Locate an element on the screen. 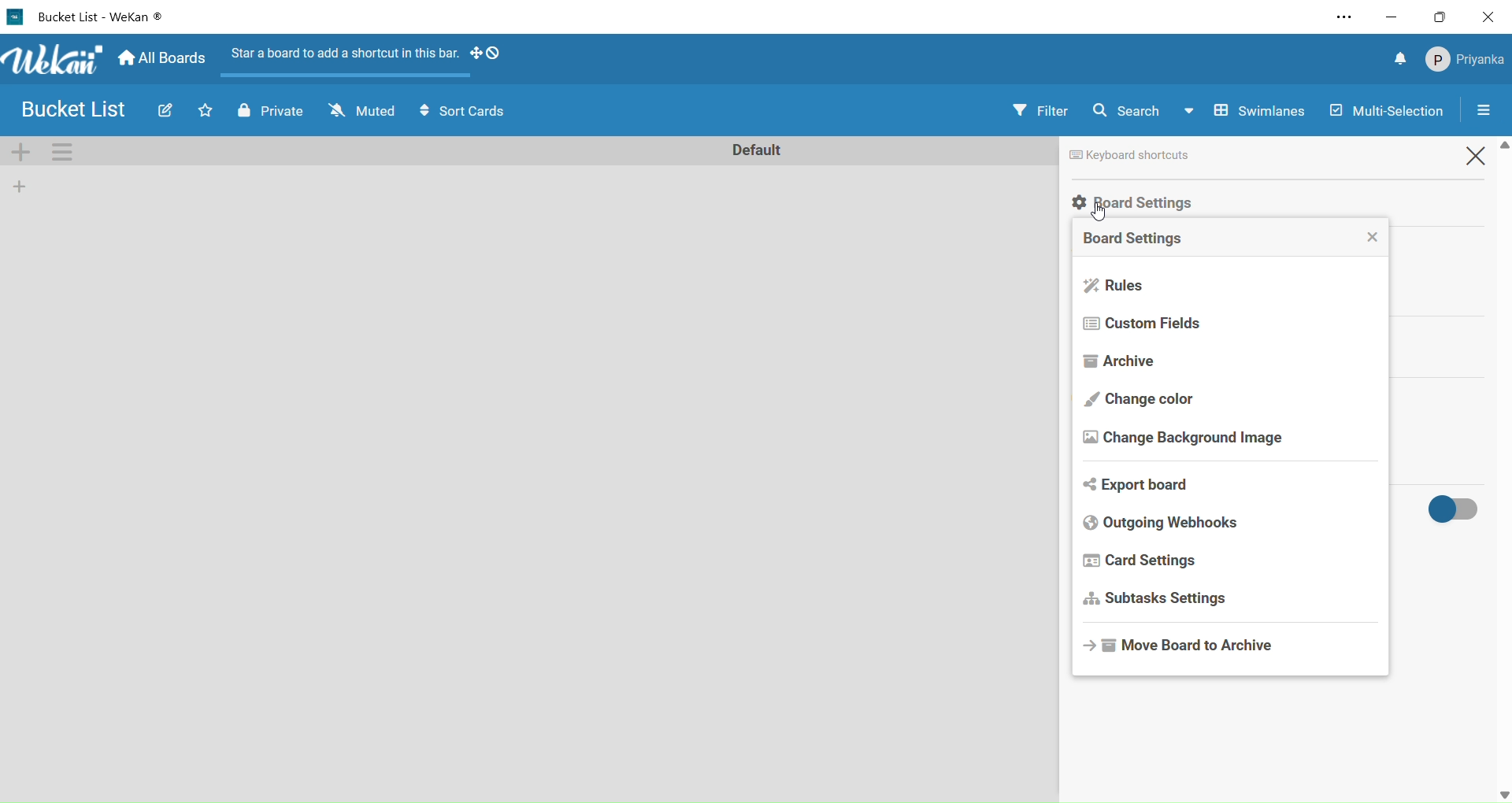 The image size is (1512, 803). title is located at coordinates (58, 60).